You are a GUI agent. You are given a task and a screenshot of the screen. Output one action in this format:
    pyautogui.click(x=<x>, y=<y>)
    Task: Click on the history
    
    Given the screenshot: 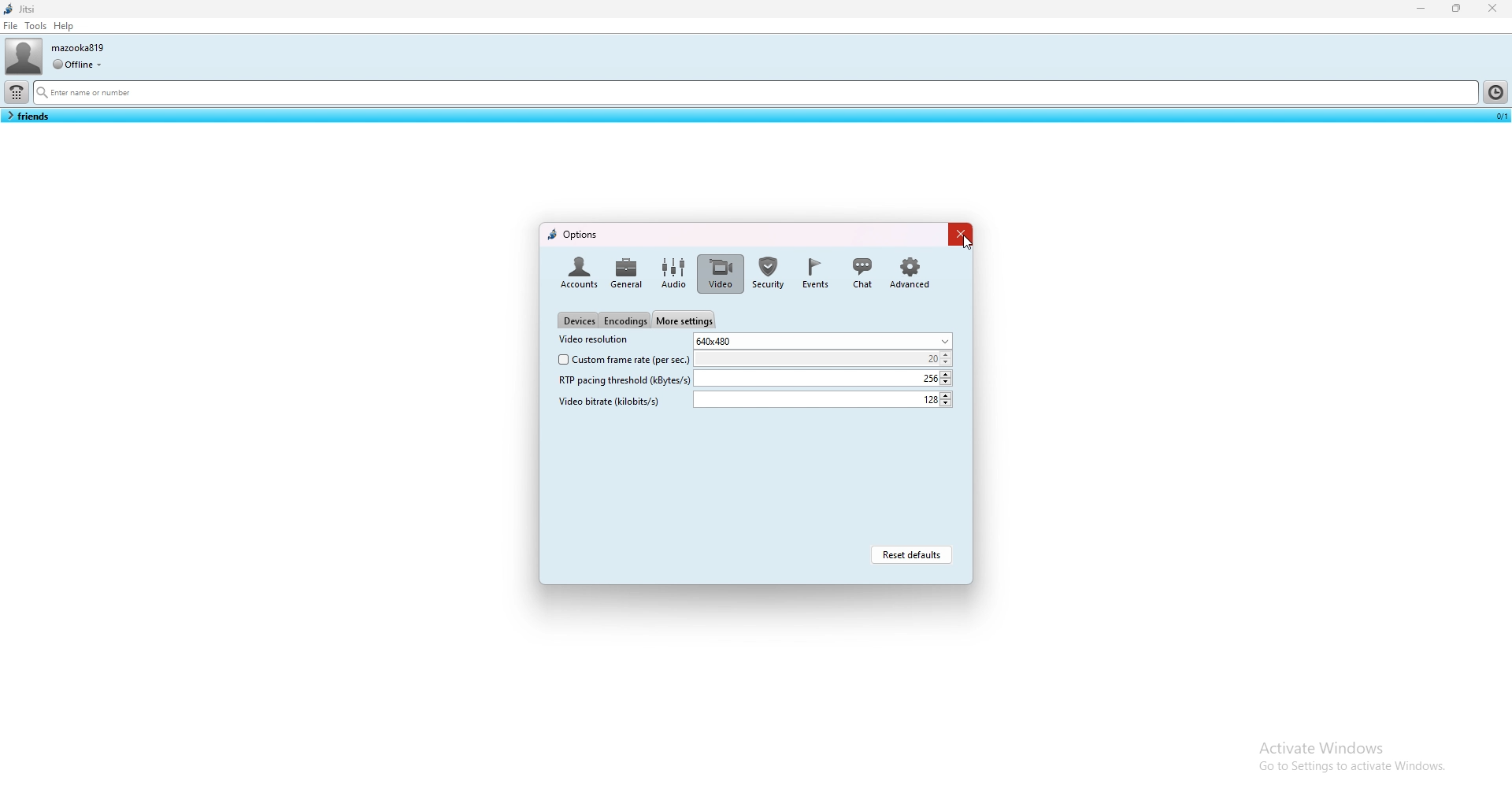 What is the action you would take?
    pyautogui.click(x=1495, y=91)
    